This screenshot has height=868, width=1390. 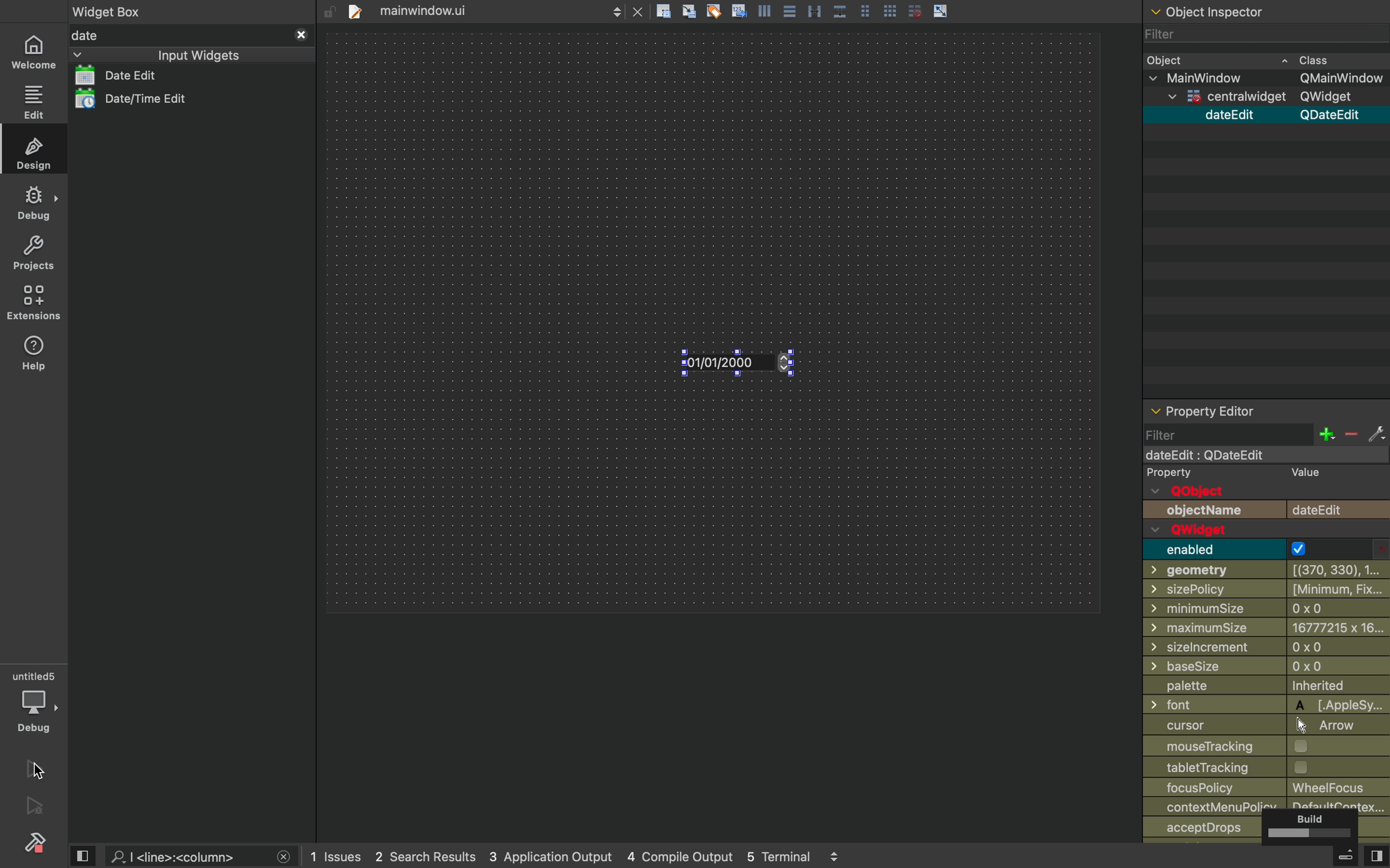 I want to click on tabletracking, so click(x=1266, y=768).